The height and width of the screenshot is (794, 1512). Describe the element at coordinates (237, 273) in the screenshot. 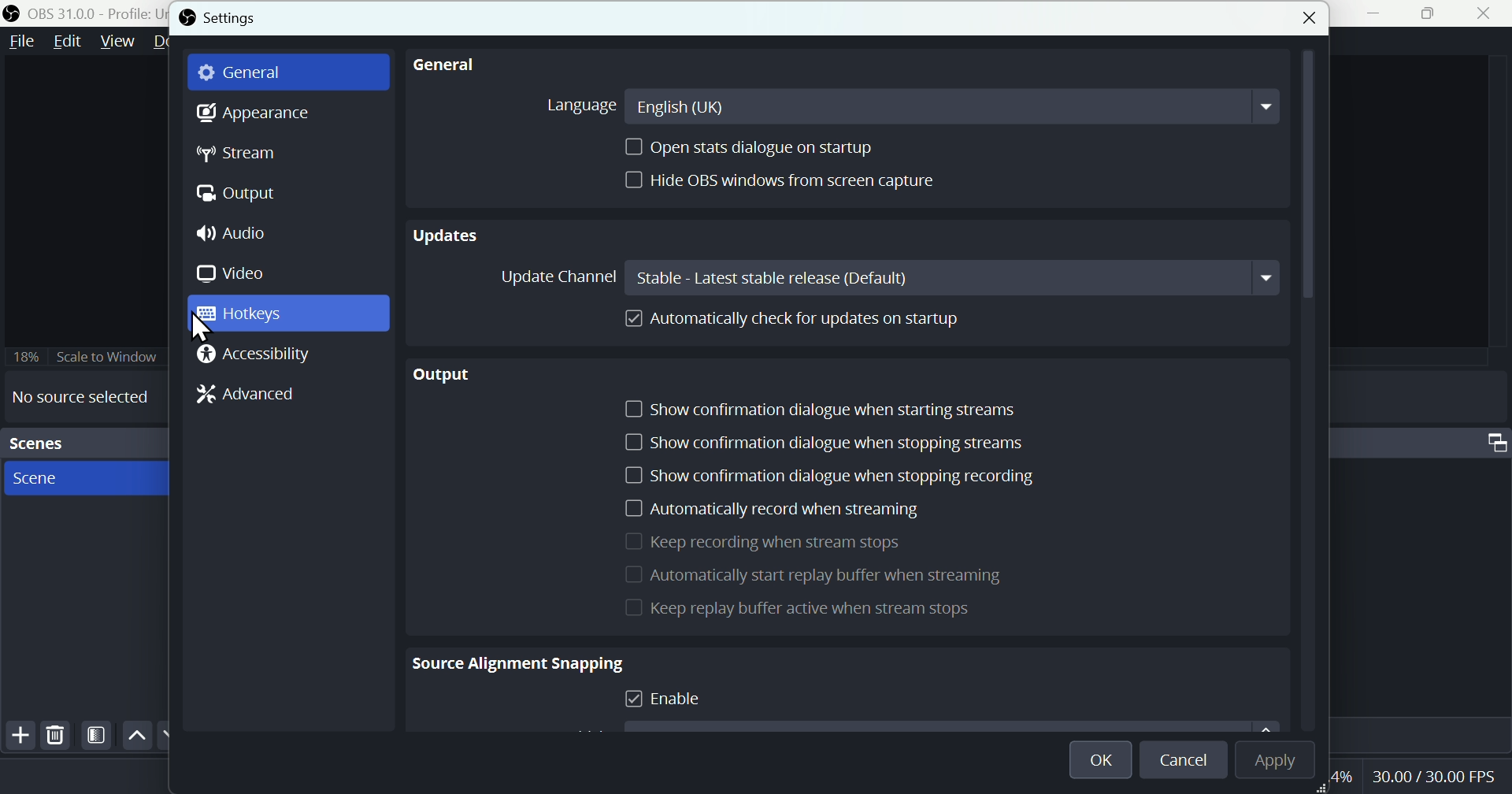

I see `Video` at that location.